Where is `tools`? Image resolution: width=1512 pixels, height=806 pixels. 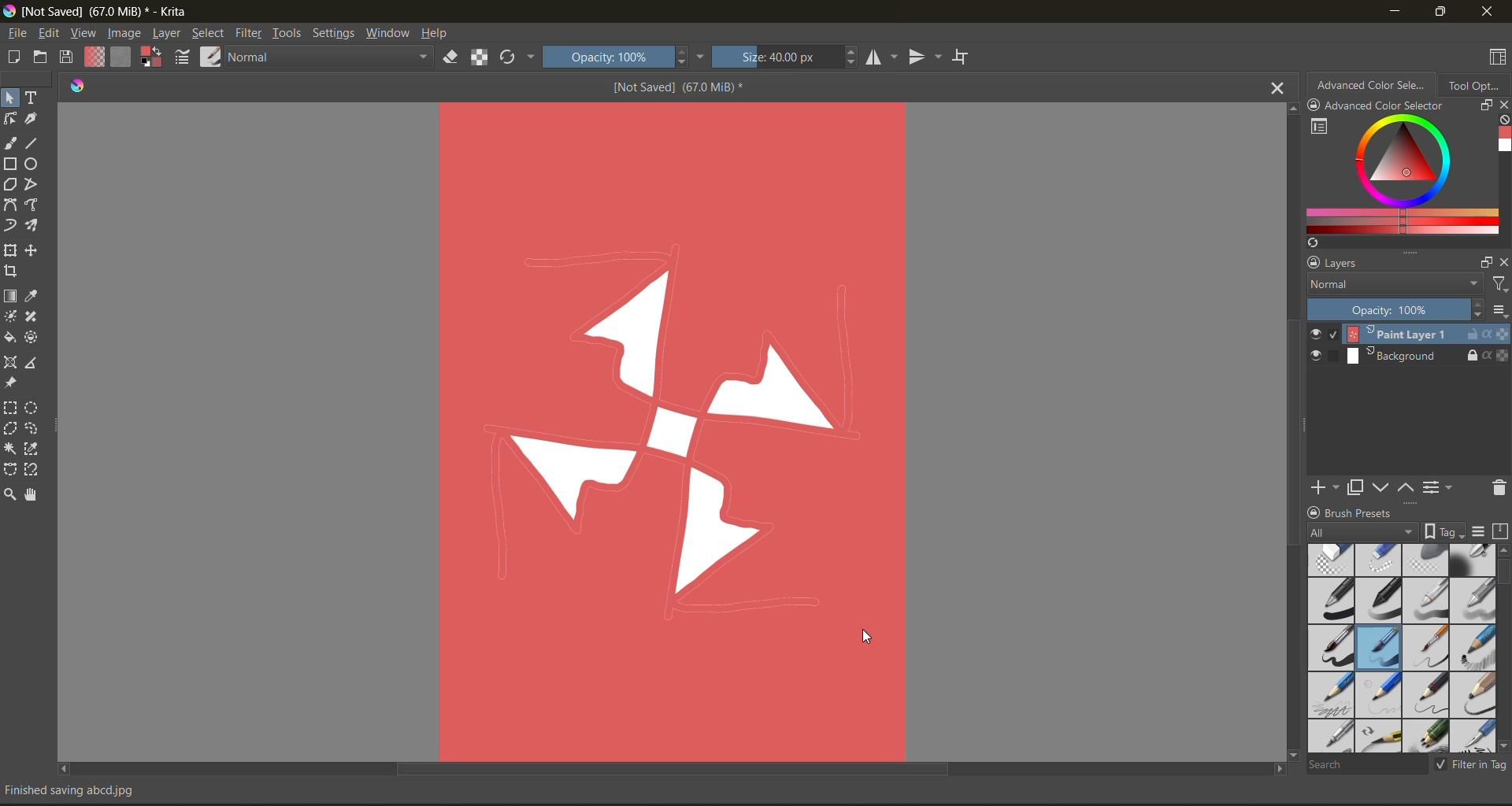
tools is located at coordinates (35, 186).